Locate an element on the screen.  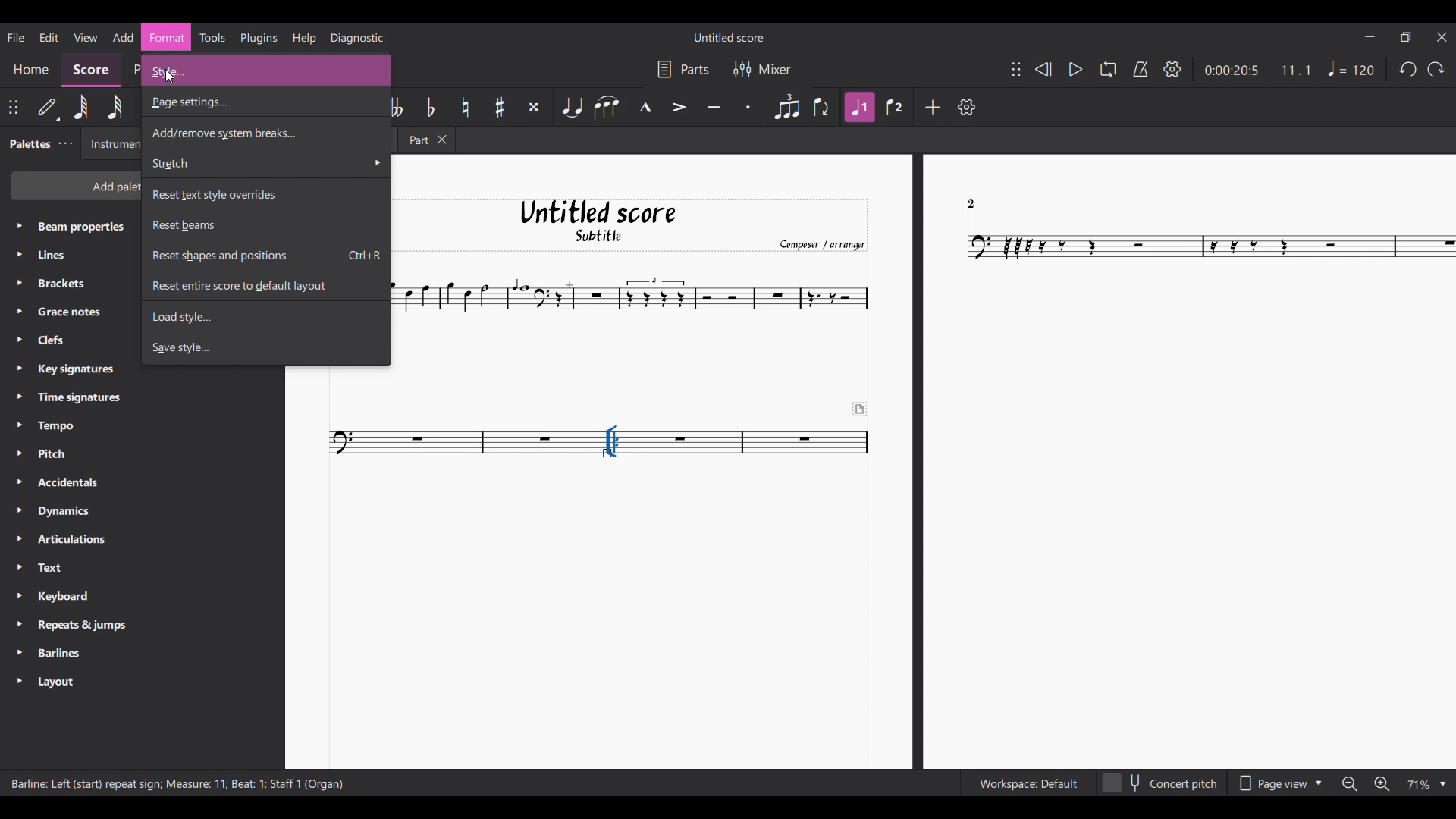
Score, current selection is located at coordinates (91, 71).